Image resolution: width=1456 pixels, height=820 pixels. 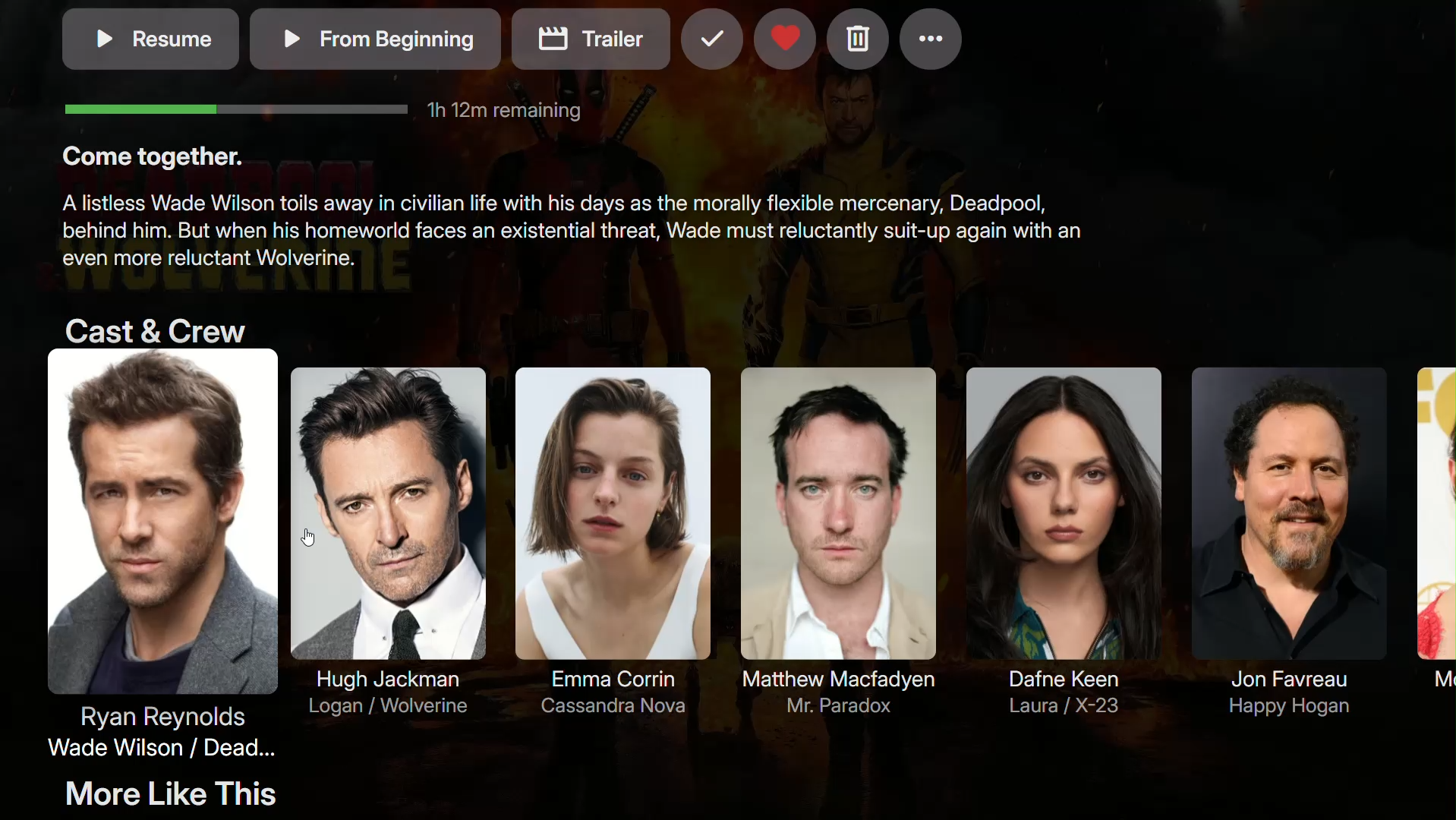 What do you see at coordinates (156, 558) in the screenshot?
I see `Ryan Reynolds` at bounding box center [156, 558].